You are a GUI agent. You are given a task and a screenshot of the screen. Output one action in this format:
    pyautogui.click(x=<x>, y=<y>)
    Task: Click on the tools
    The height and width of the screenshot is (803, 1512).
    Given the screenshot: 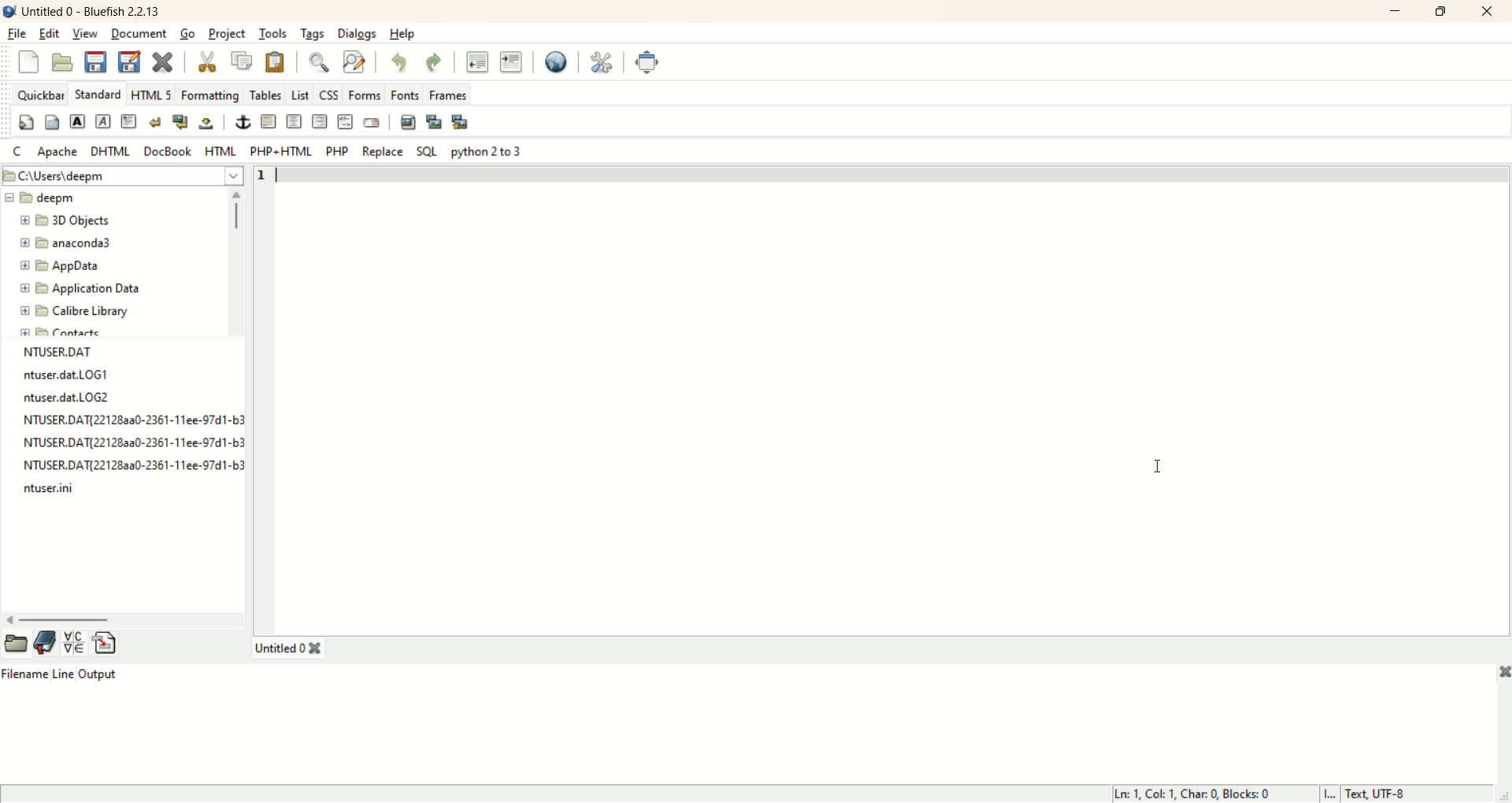 What is the action you would take?
    pyautogui.click(x=275, y=34)
    